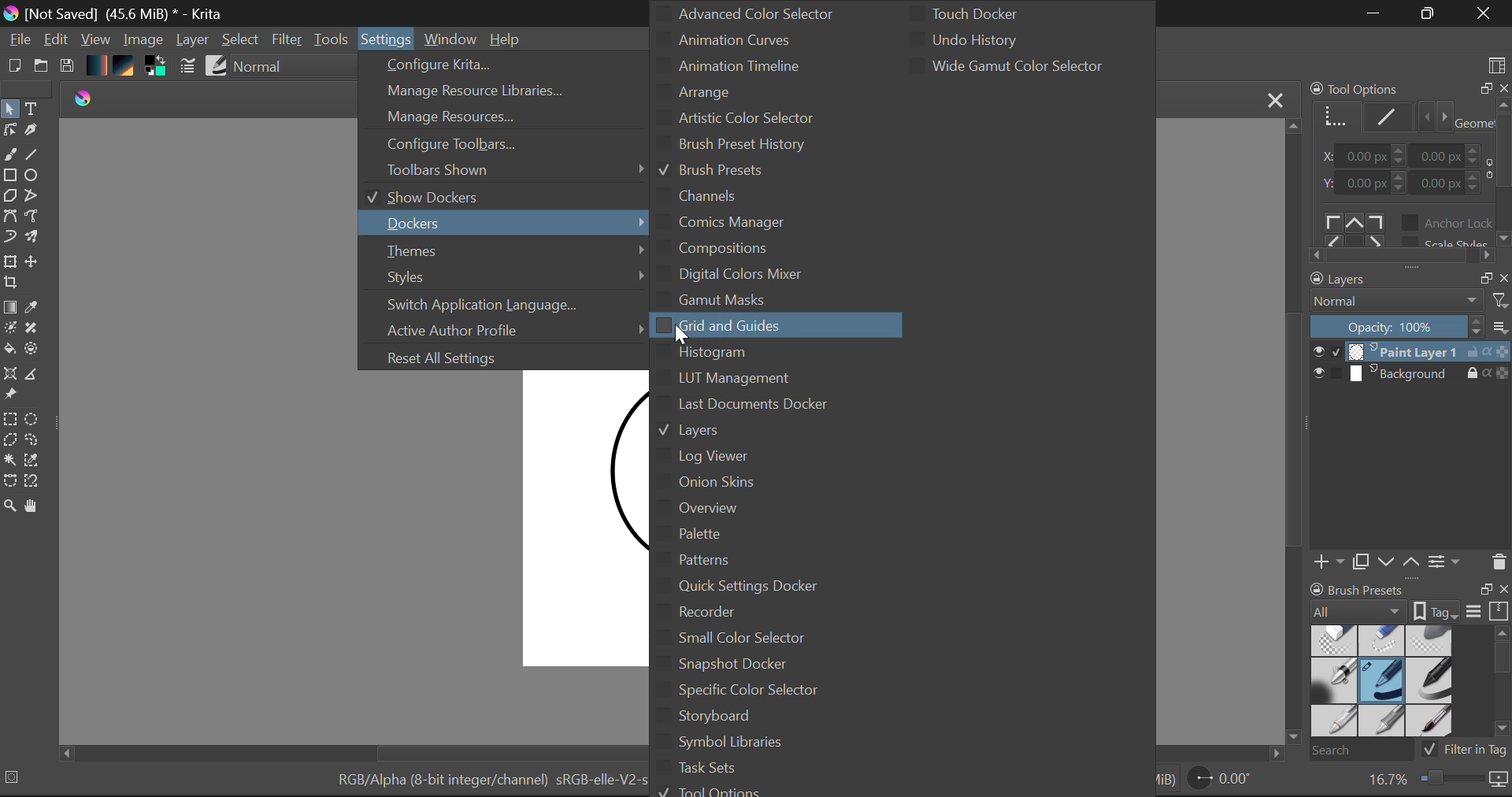 The height and width of the screenshot is (797, 1512). I want to click on Gradient, so click(98, 65).